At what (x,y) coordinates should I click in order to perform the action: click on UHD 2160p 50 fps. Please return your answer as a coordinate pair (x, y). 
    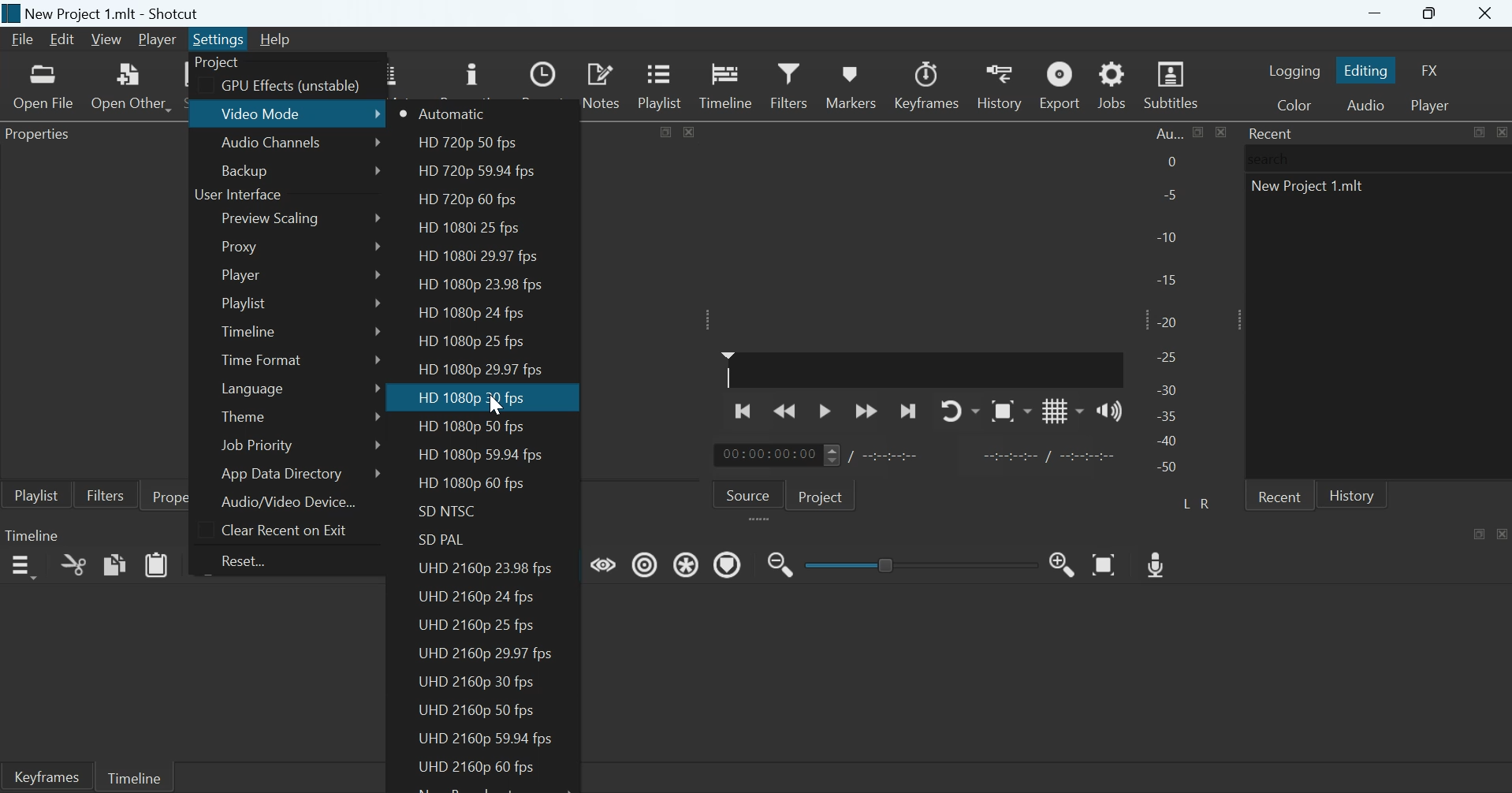
    Looking at the image, I should click on (476, 709).